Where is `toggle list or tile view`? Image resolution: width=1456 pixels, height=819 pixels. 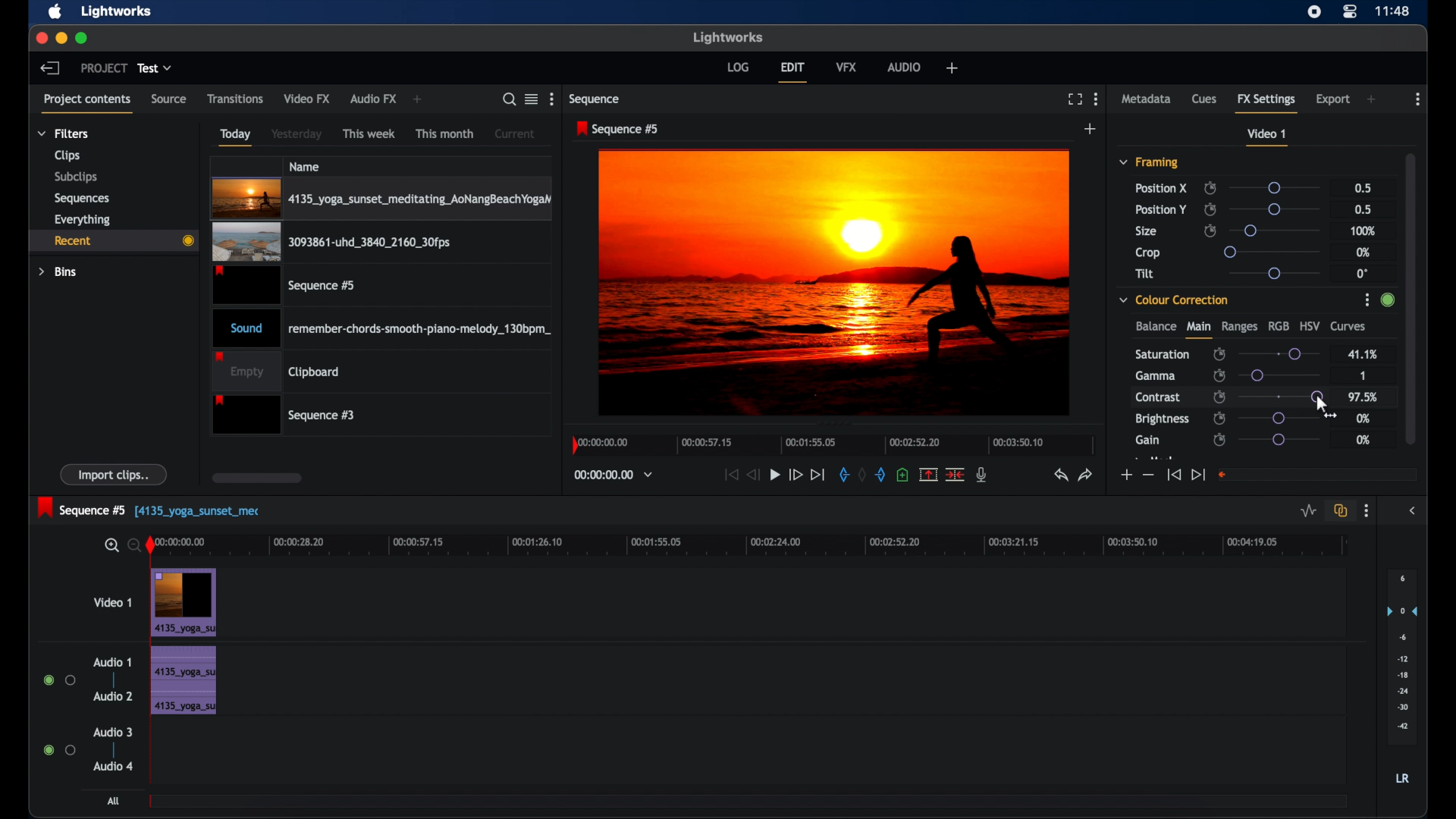
toggle list or tile view is located at coordinates (532, 99).